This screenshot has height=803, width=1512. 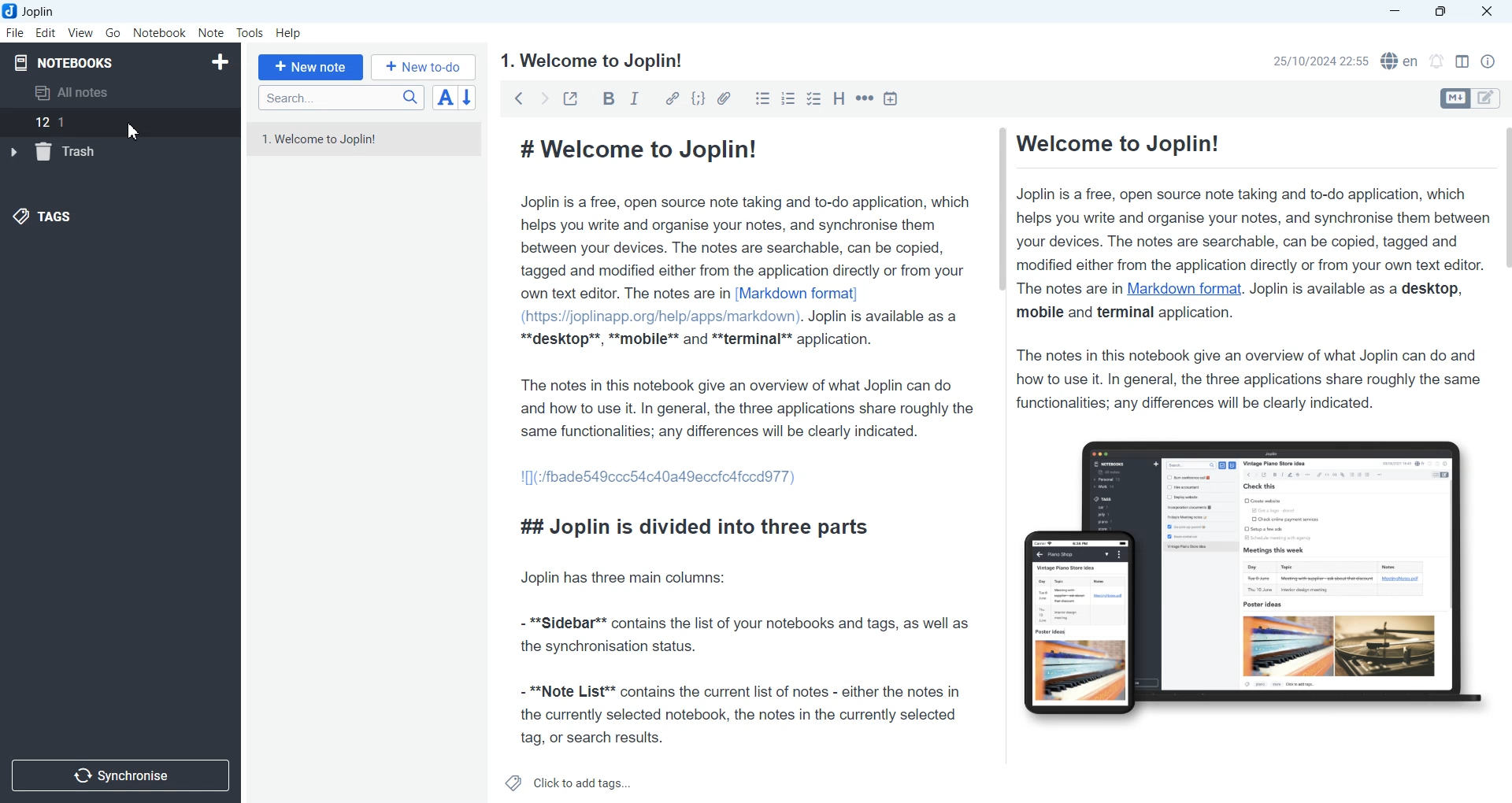 I want to click on # Welcome to Joplin!

Joplin is a free, open source note taking and to-do application, which
helps you write and organise your notes, and synchronise them
between your devices. The notes are searchable, can be copied,
tagged and modified either from the application directly or from your
own text editor. The notes are in [Markdown format]
(https://joplinapp.org/help/apps/markdown). Joplin is available as a
**desktop**, **mobile** and **terminal** application.

The notes in this notebook give an overview of what Joplin can do
and how to use it. In general, the three applications share roughly the
same functionalities; any differences will be clearly indicated.
1[](:/fbade549ccc54c40a49eccicafccdd77)

## Joplin is divided into three parts

Joplin has three main columns:

- **Sidebar** contains the list of your notebooks and tags, as well as
the synchronisation status.

- **Note List** contains the current list of notes - either the notes in, so click(x=746, y=450).